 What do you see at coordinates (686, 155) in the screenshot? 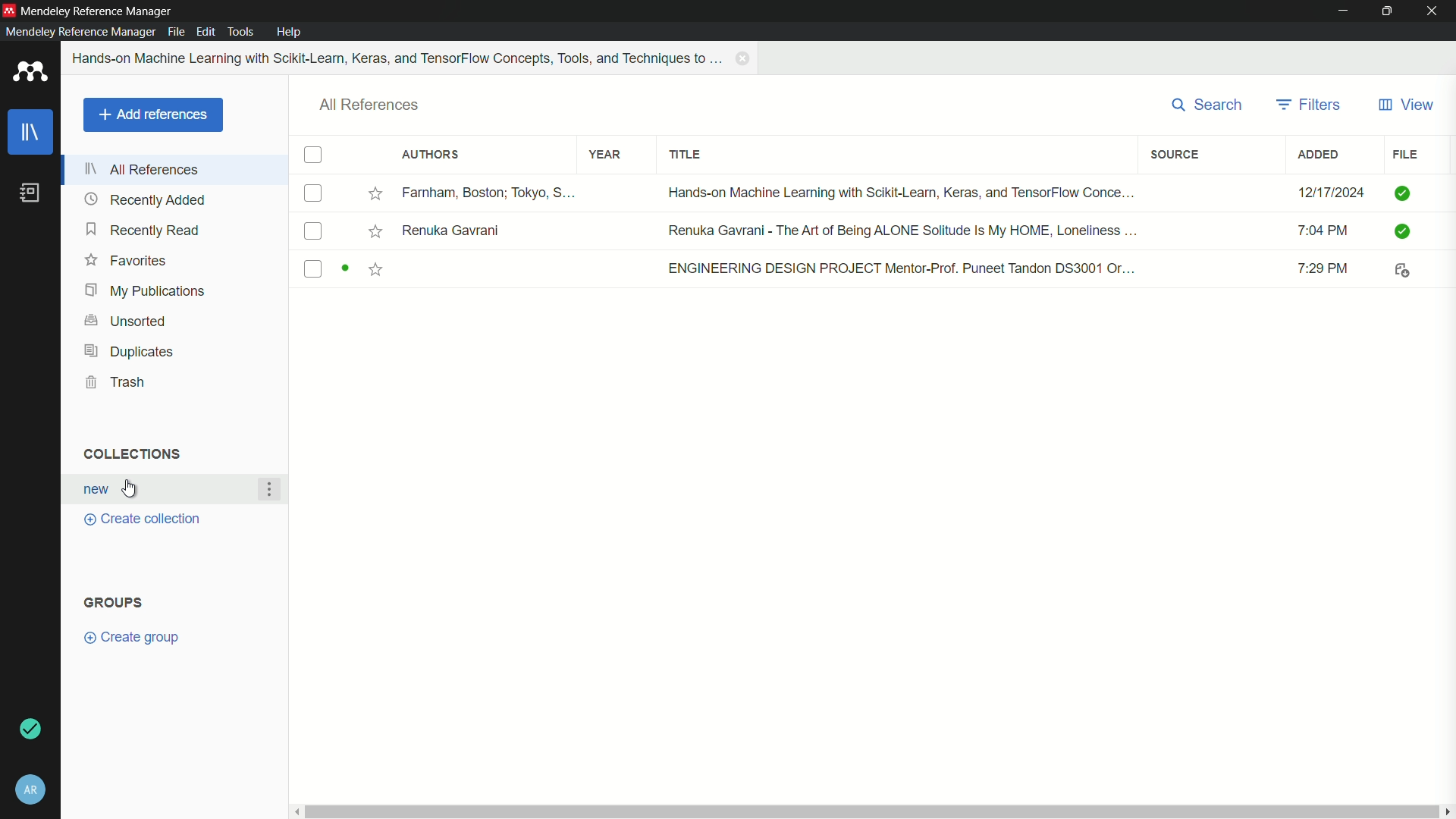
I see `title` at bounding box center [686, 155].